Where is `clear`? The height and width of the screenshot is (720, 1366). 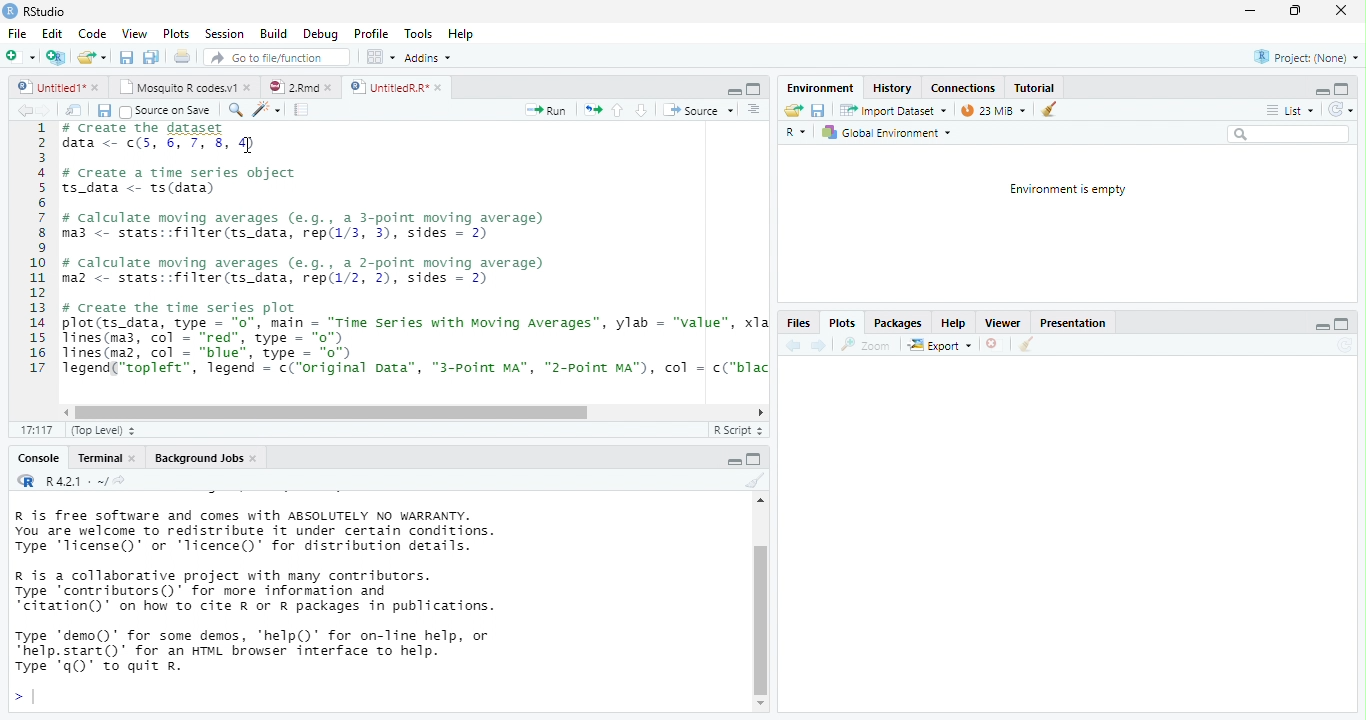
clear is located at coordinates (1049, 108).